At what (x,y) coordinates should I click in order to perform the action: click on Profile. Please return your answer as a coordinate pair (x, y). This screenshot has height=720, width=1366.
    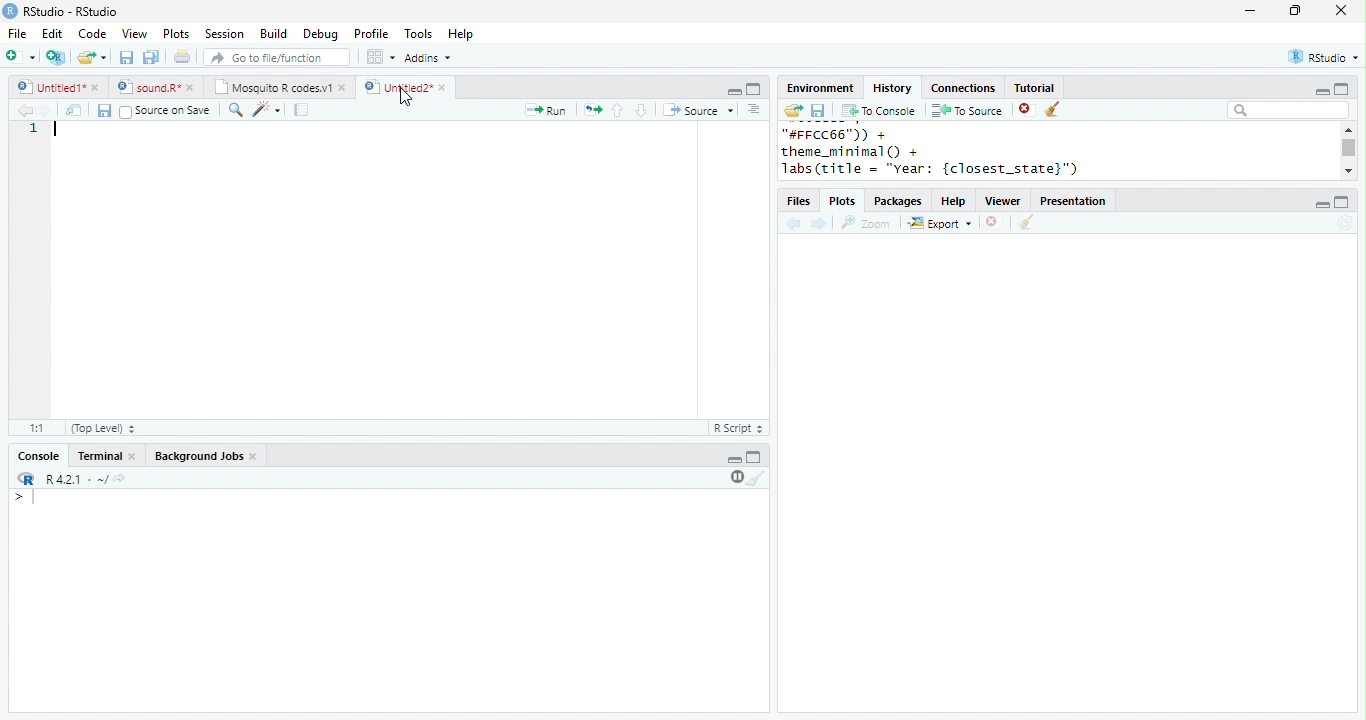
    Looking at the image, I should click on (372, 34).